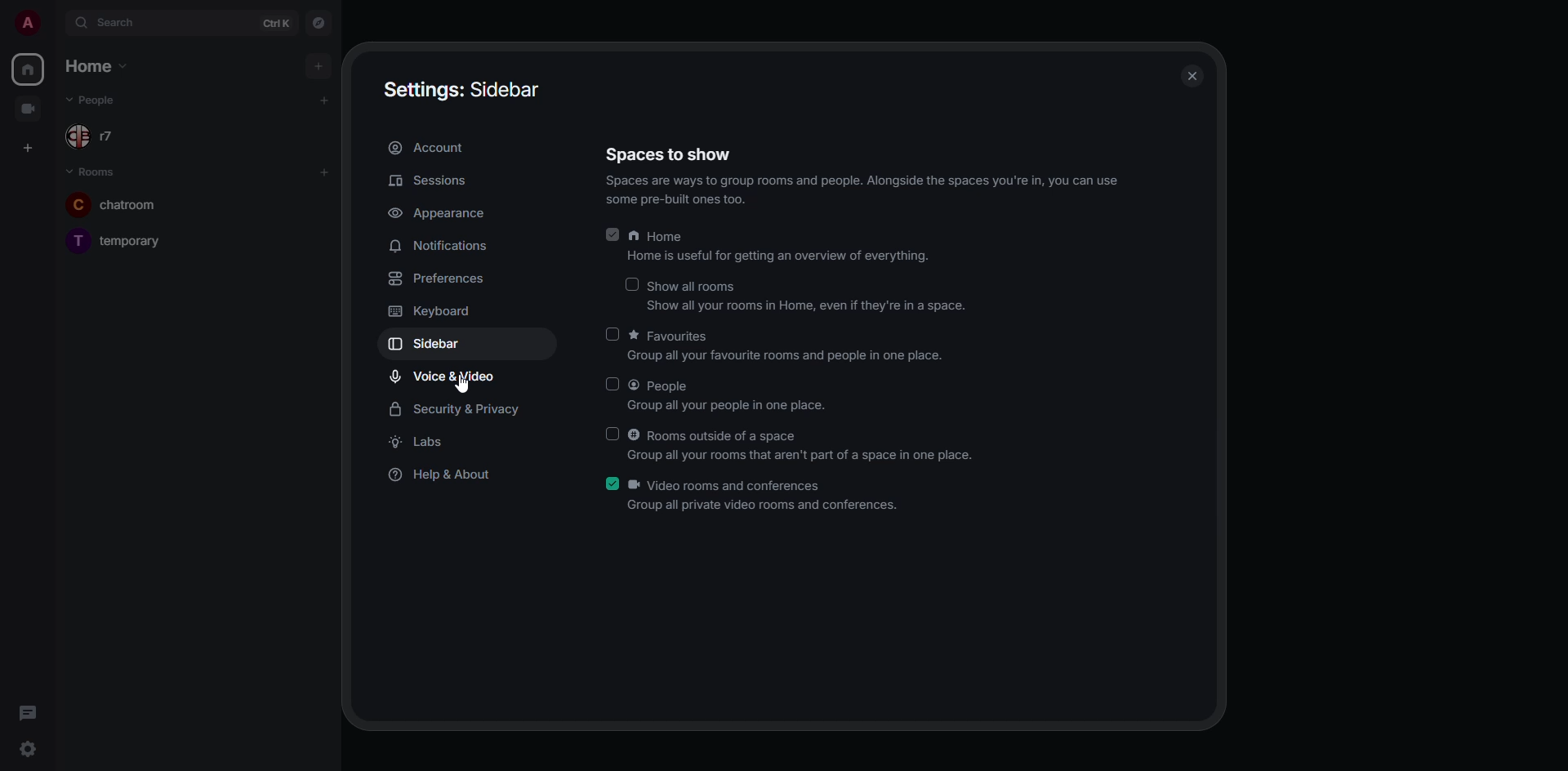  I want to click on click to enable, so click(630, 284).